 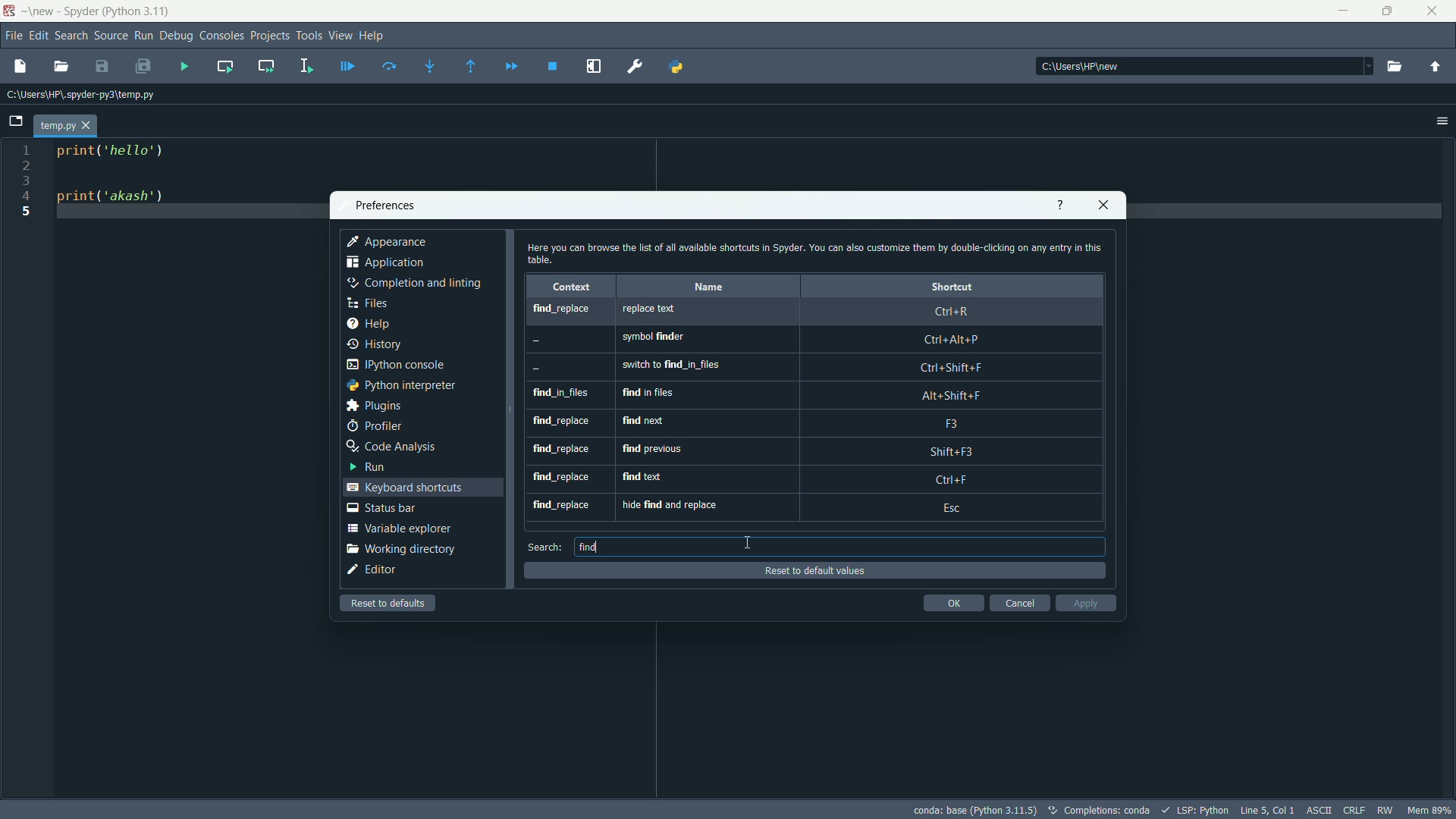 What do you see at coordinates (266, 64) in the screenshot?
I see `run current cell and go to next one` at bounding box center [266, 64].